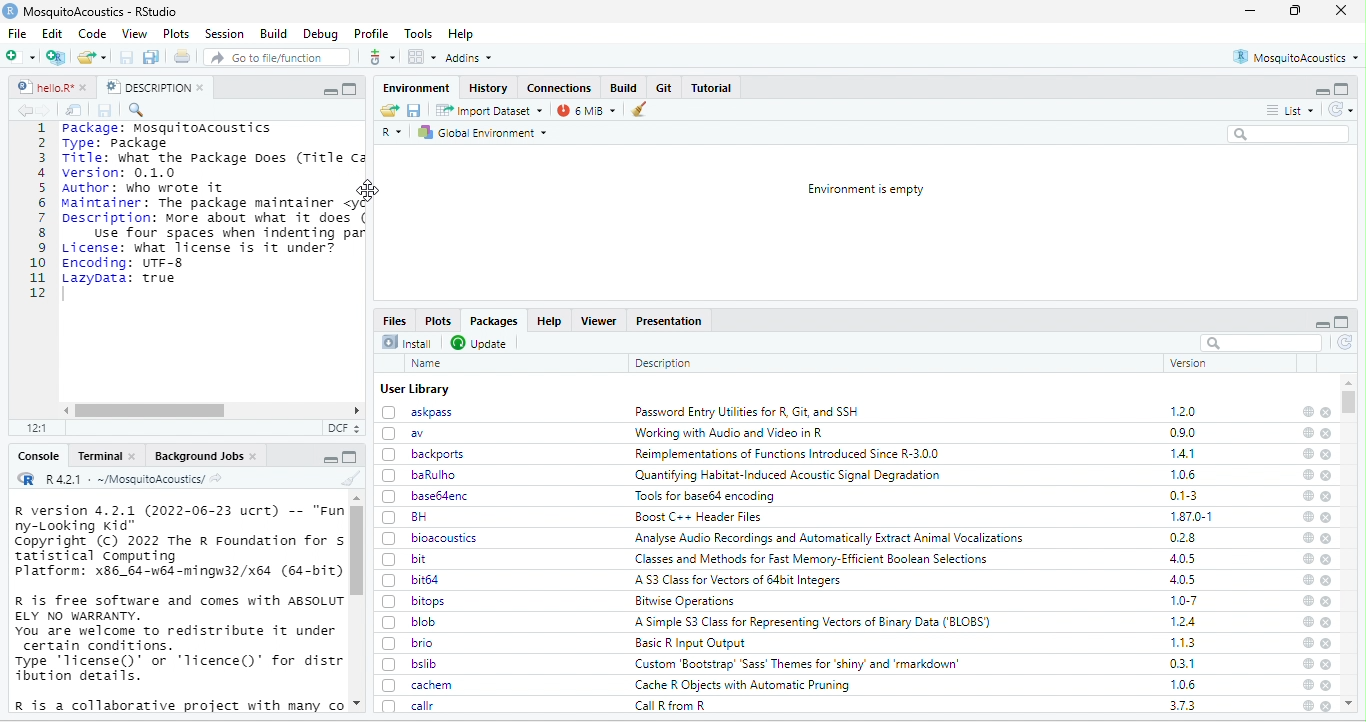 The height and width of the screenshot is (722, 1366). Describe the element at coordinates (463, 34) in the screenshot. I see `Help` at that location.